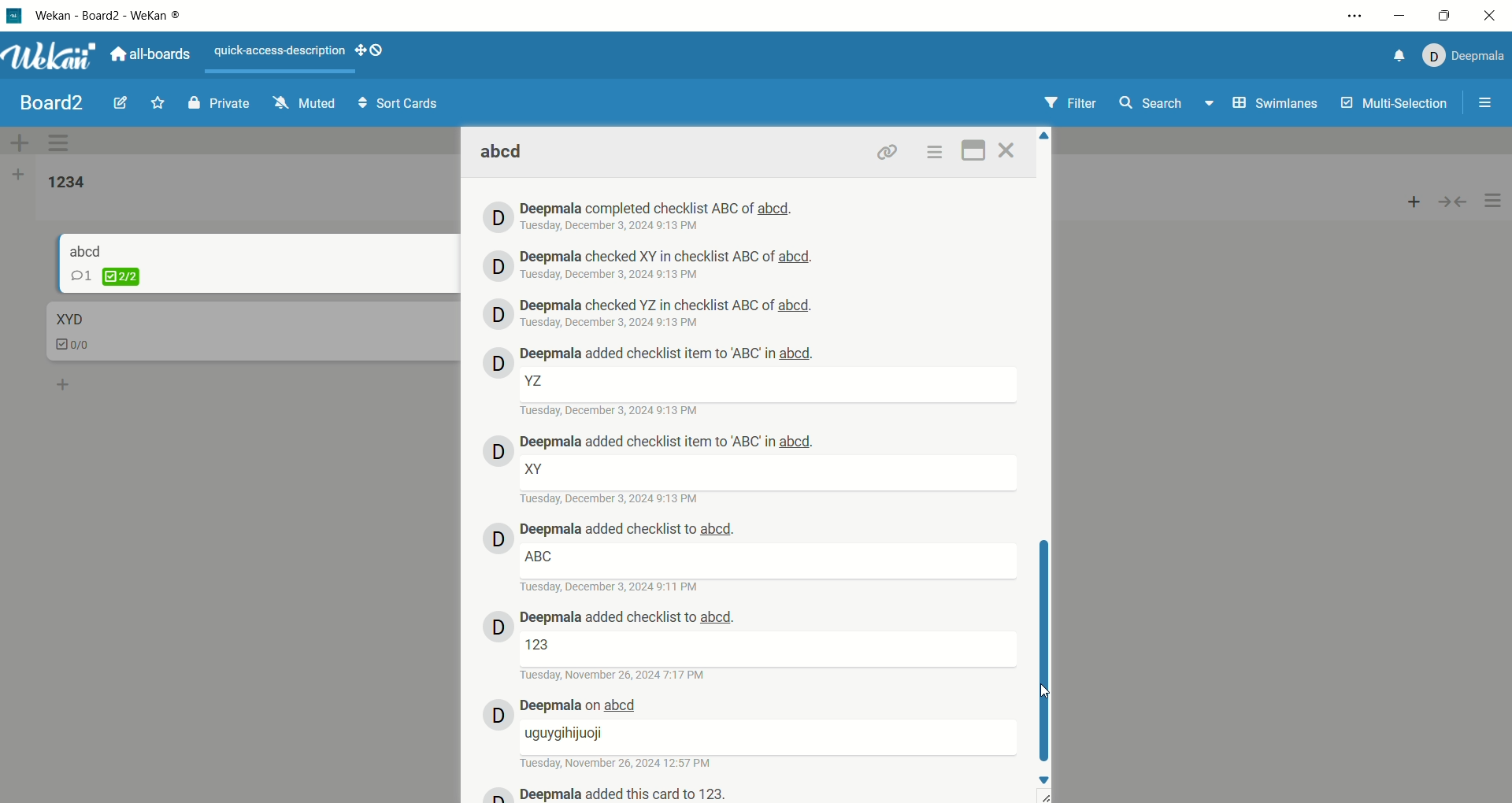  I want to click on add, so click(1414, 198).